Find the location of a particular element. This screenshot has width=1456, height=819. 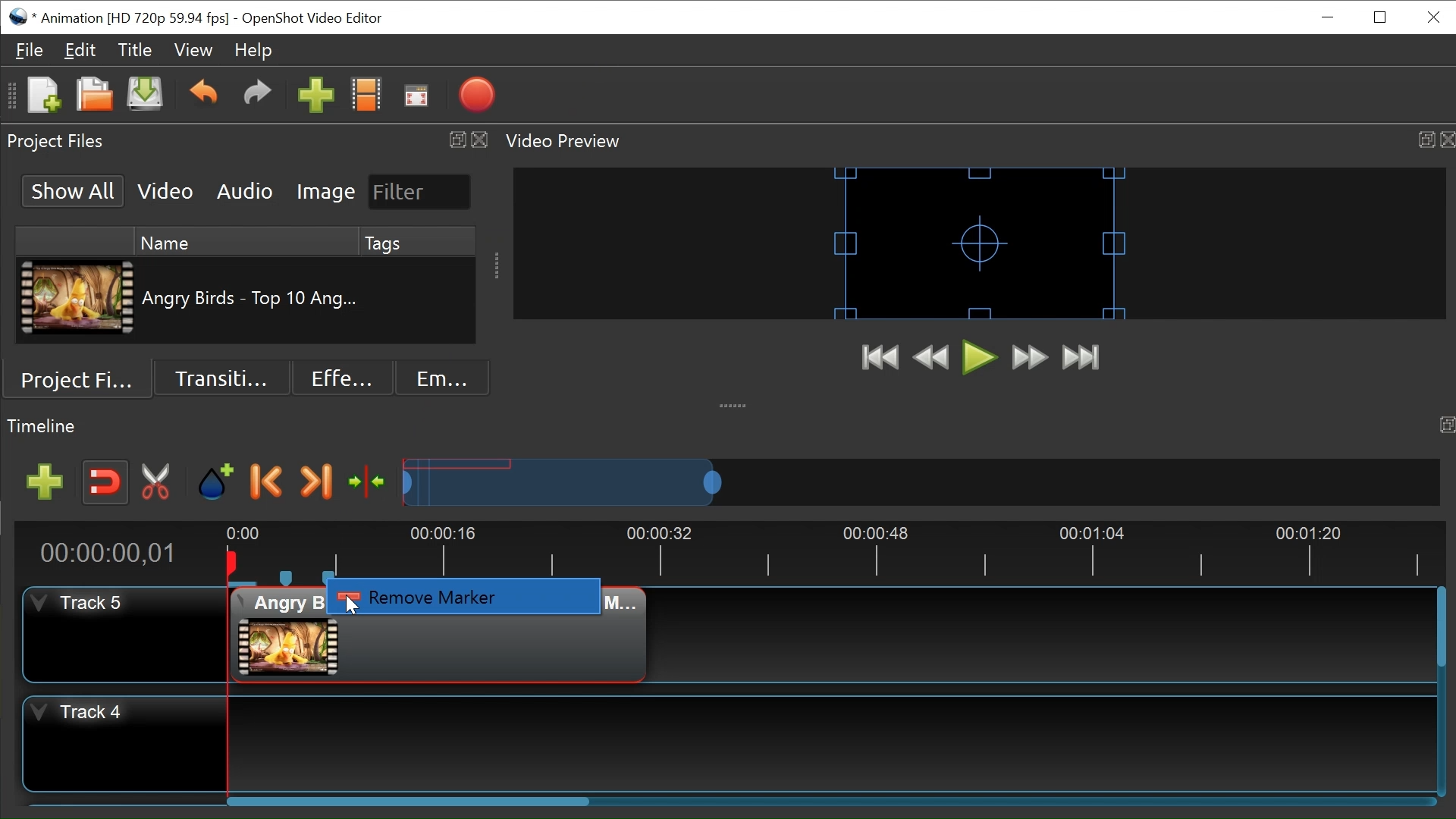

Fast Forward is located at coordinates (1029, 357).